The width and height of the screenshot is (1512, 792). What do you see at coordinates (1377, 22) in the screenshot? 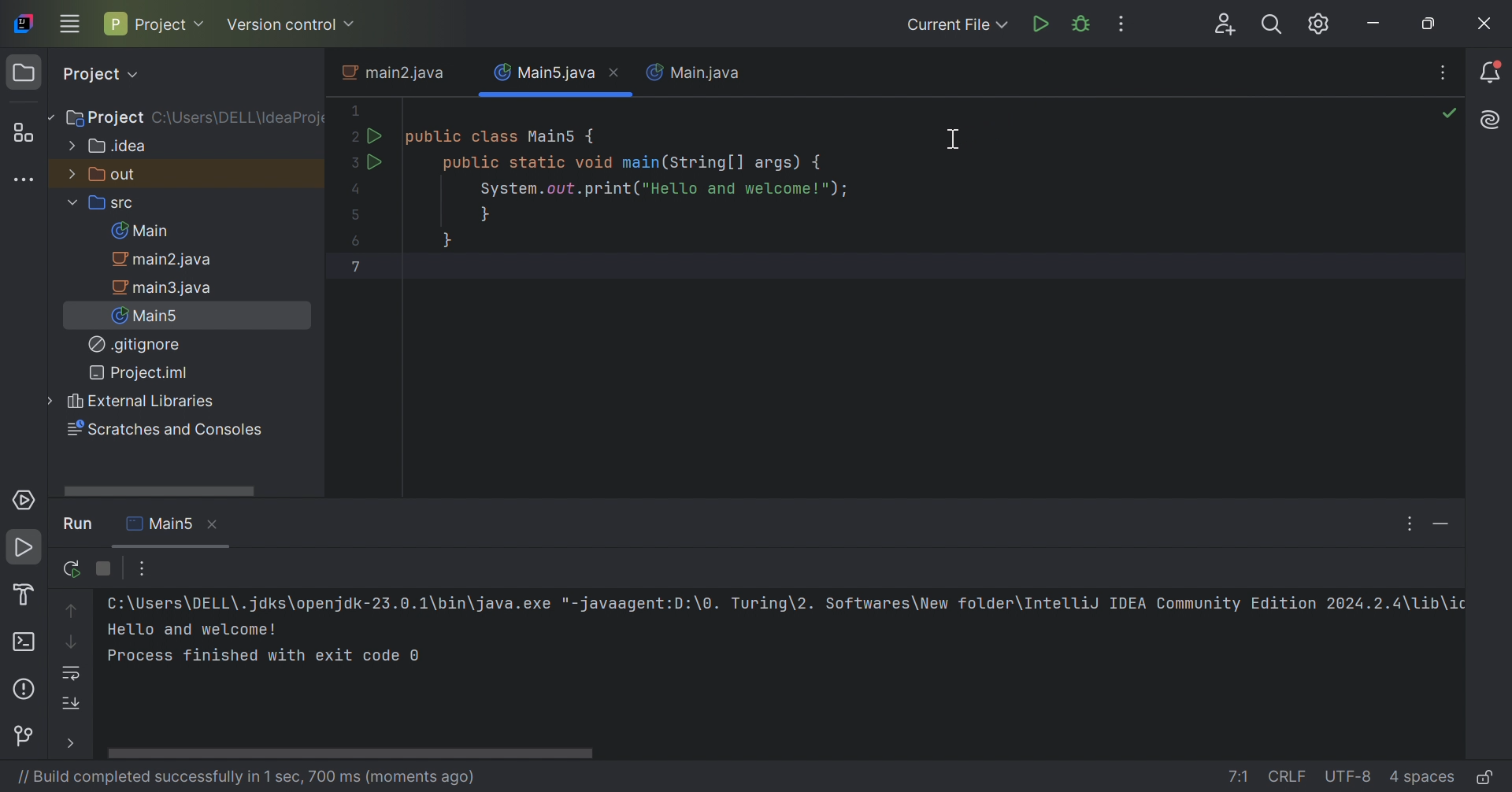
I see `Minimize` at bounding box center [1377, 22].